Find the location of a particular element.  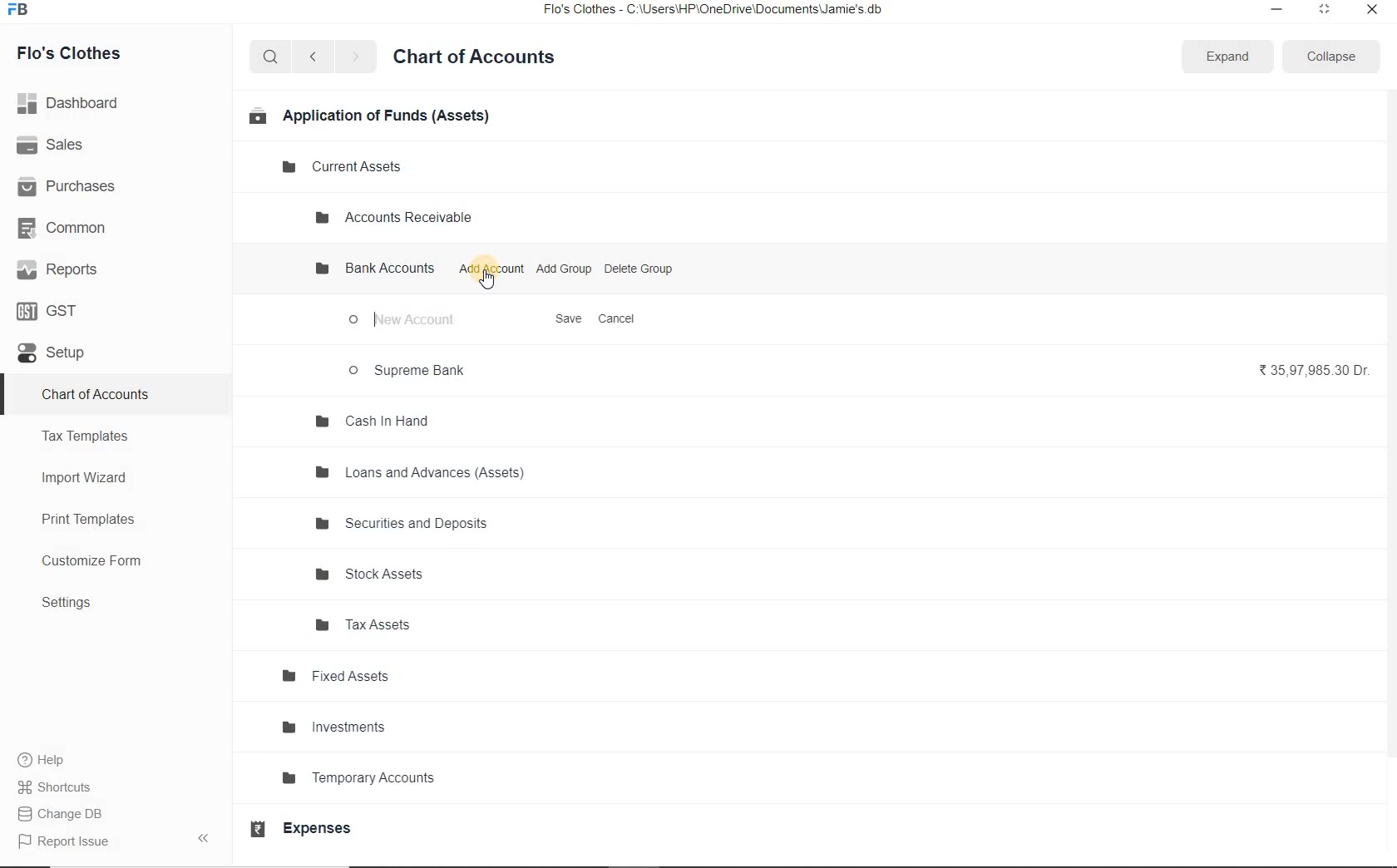

back is located at coordinates (313, 56).